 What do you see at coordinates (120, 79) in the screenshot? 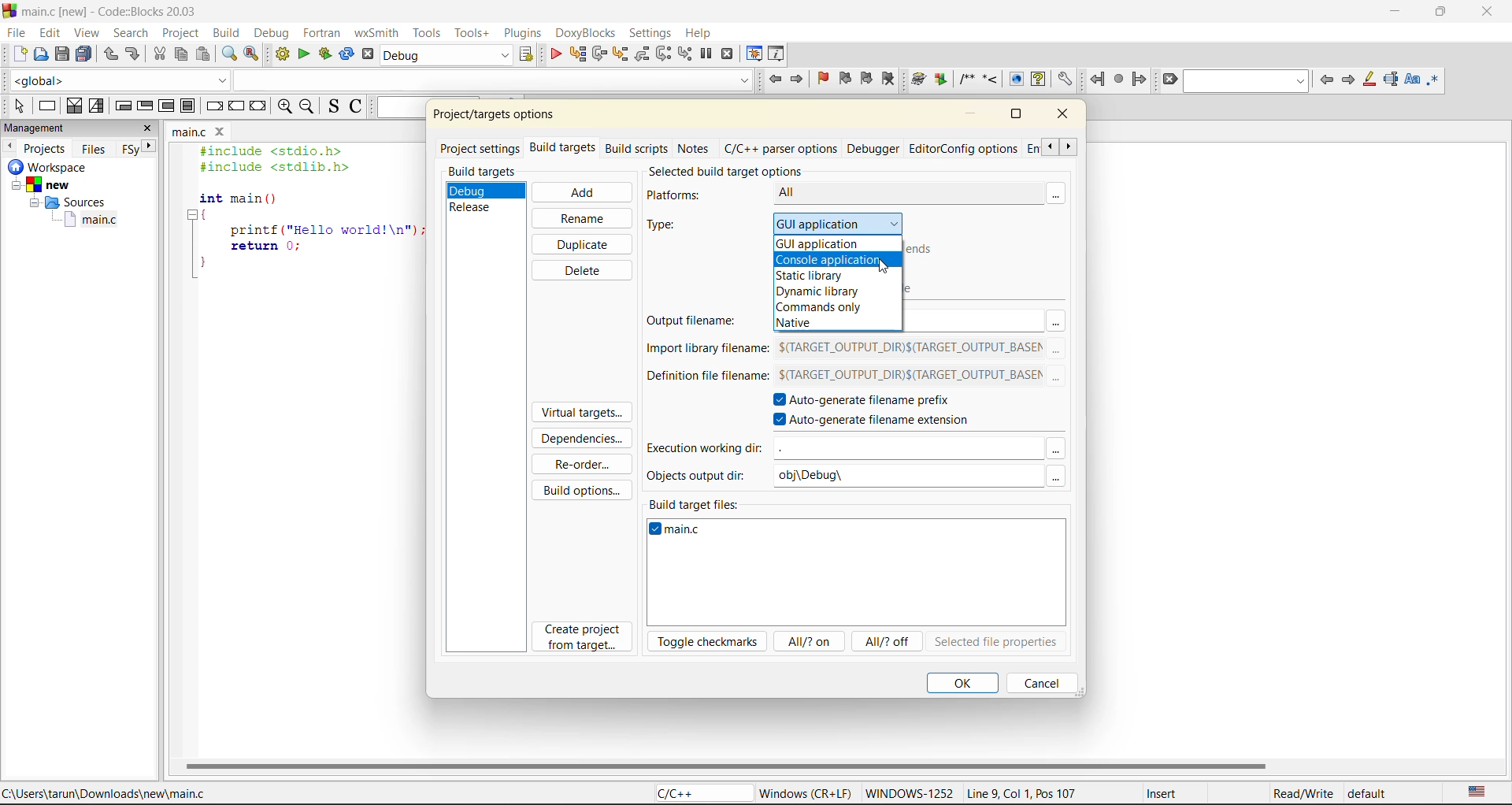
I see `<global>` at bounding box center [120, 79].